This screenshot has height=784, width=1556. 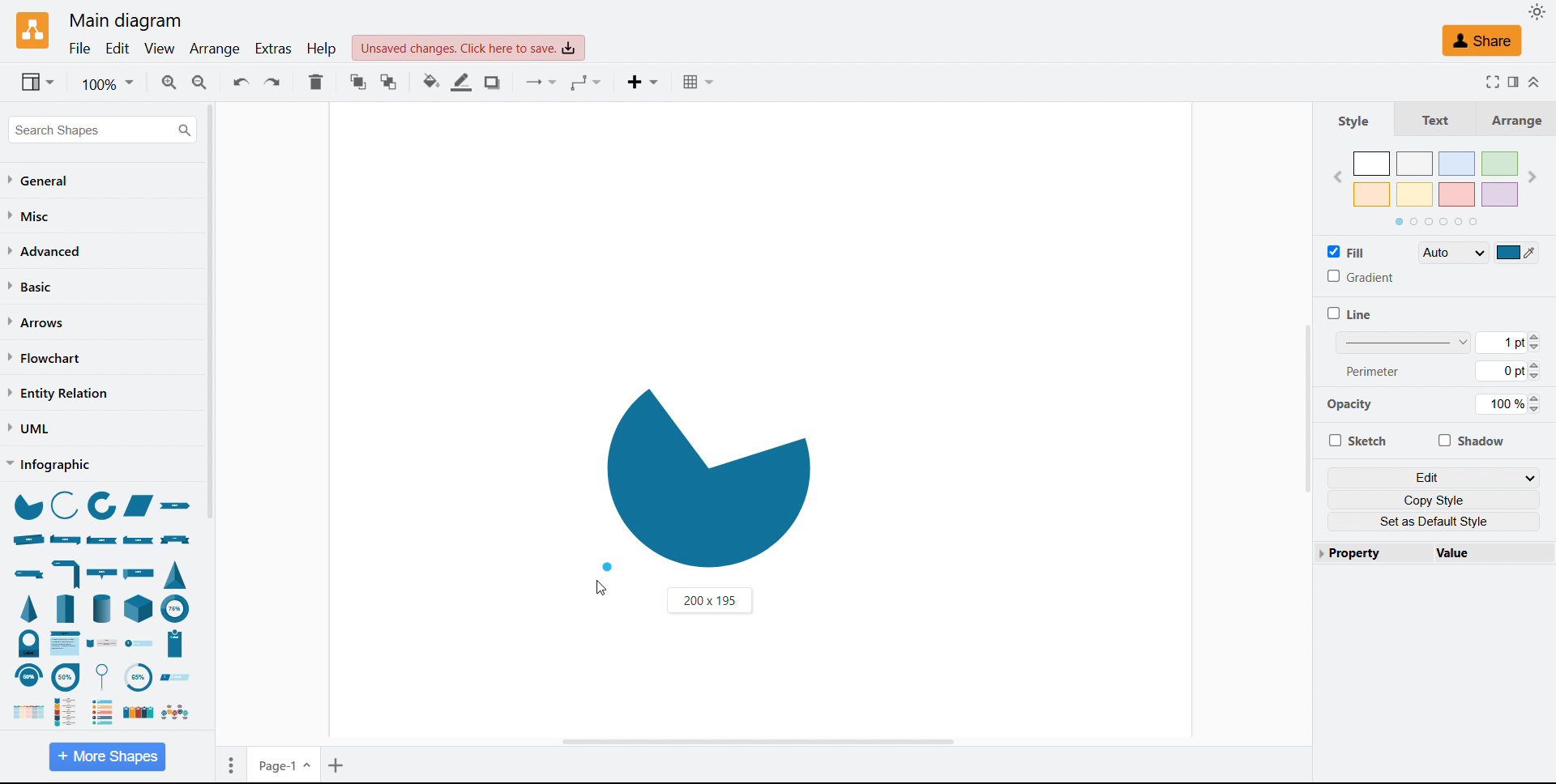 I want to click on trapezoid, so click(x=139, y=506).